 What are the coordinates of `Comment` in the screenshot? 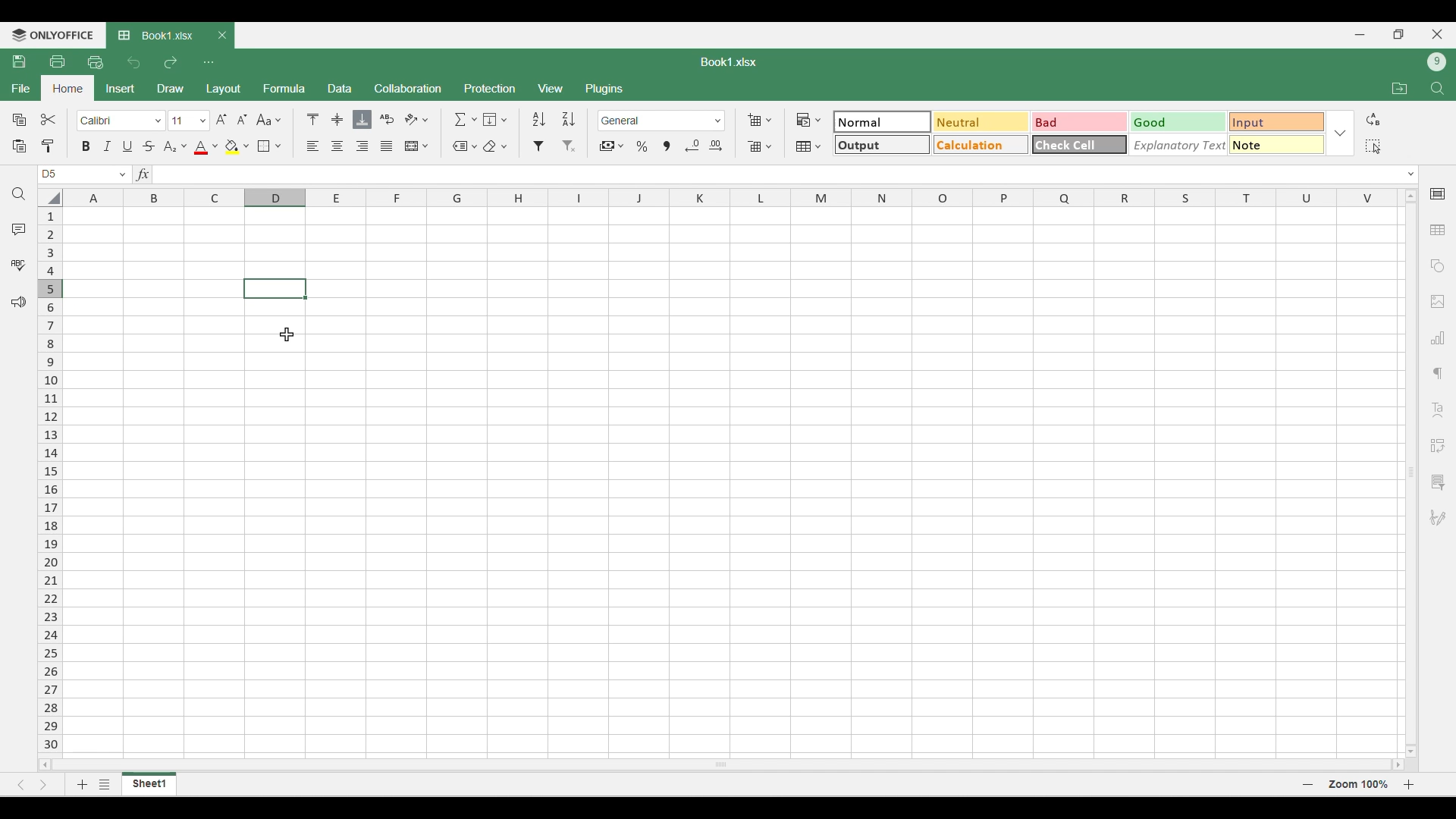 It's located at (19, 229).